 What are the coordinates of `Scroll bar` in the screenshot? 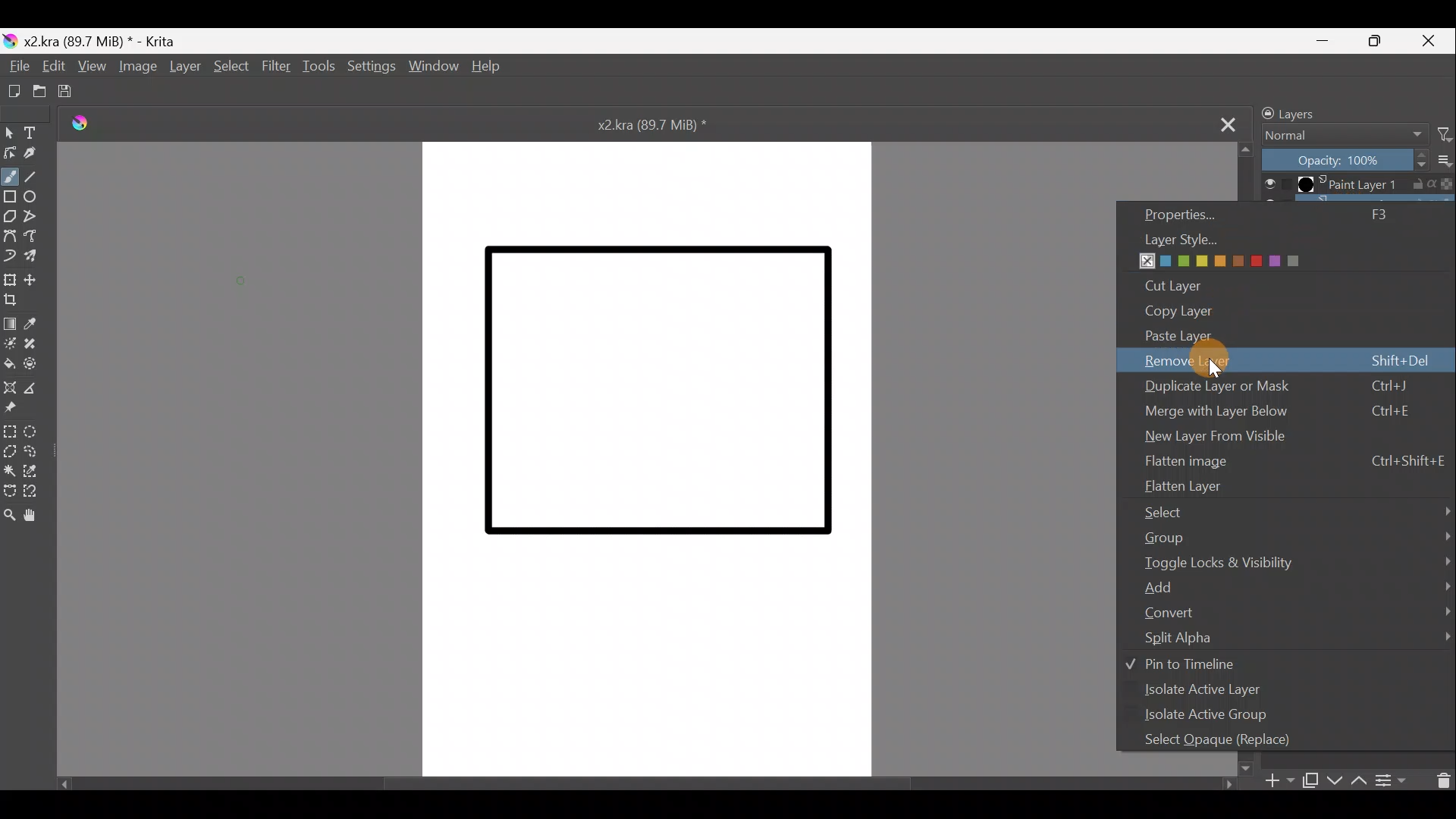 It's located at (648, 786).